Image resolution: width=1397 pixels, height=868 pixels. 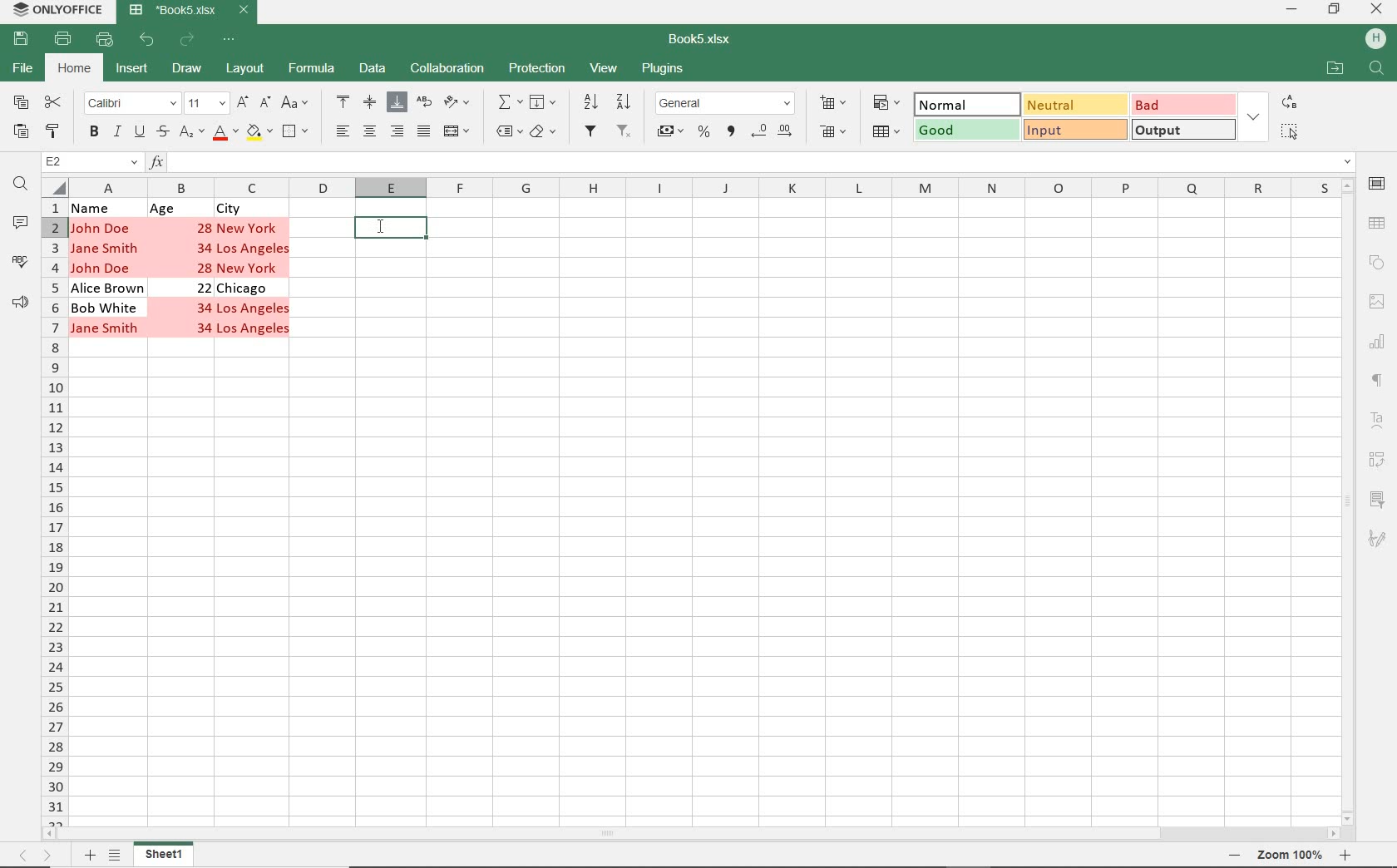 I want to click on ALIGN BOTTOM, so click(x=395, y=102).